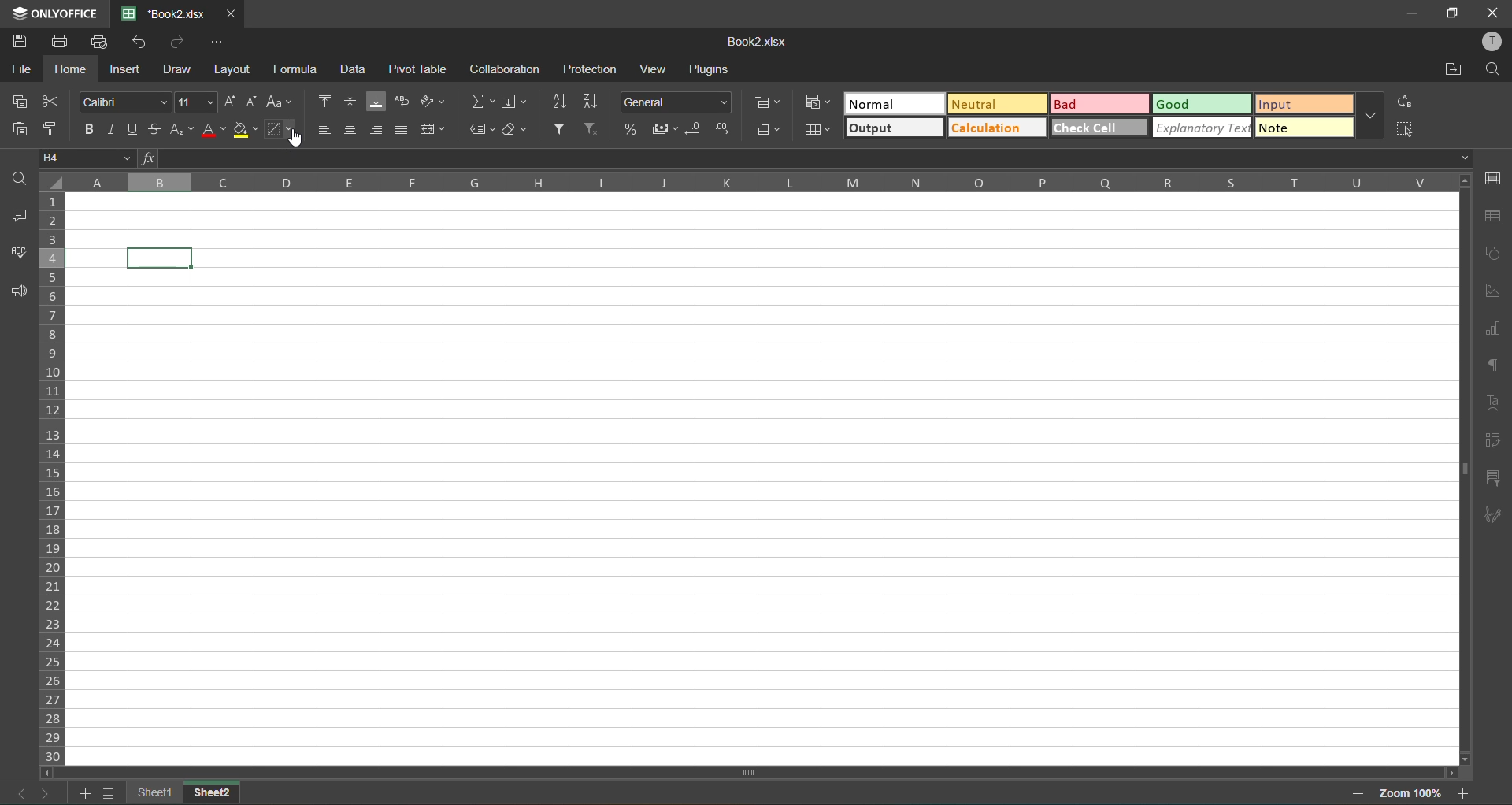  Describe the element at coordinates (18, 217) in the screenshot. I see `comments` at that location.